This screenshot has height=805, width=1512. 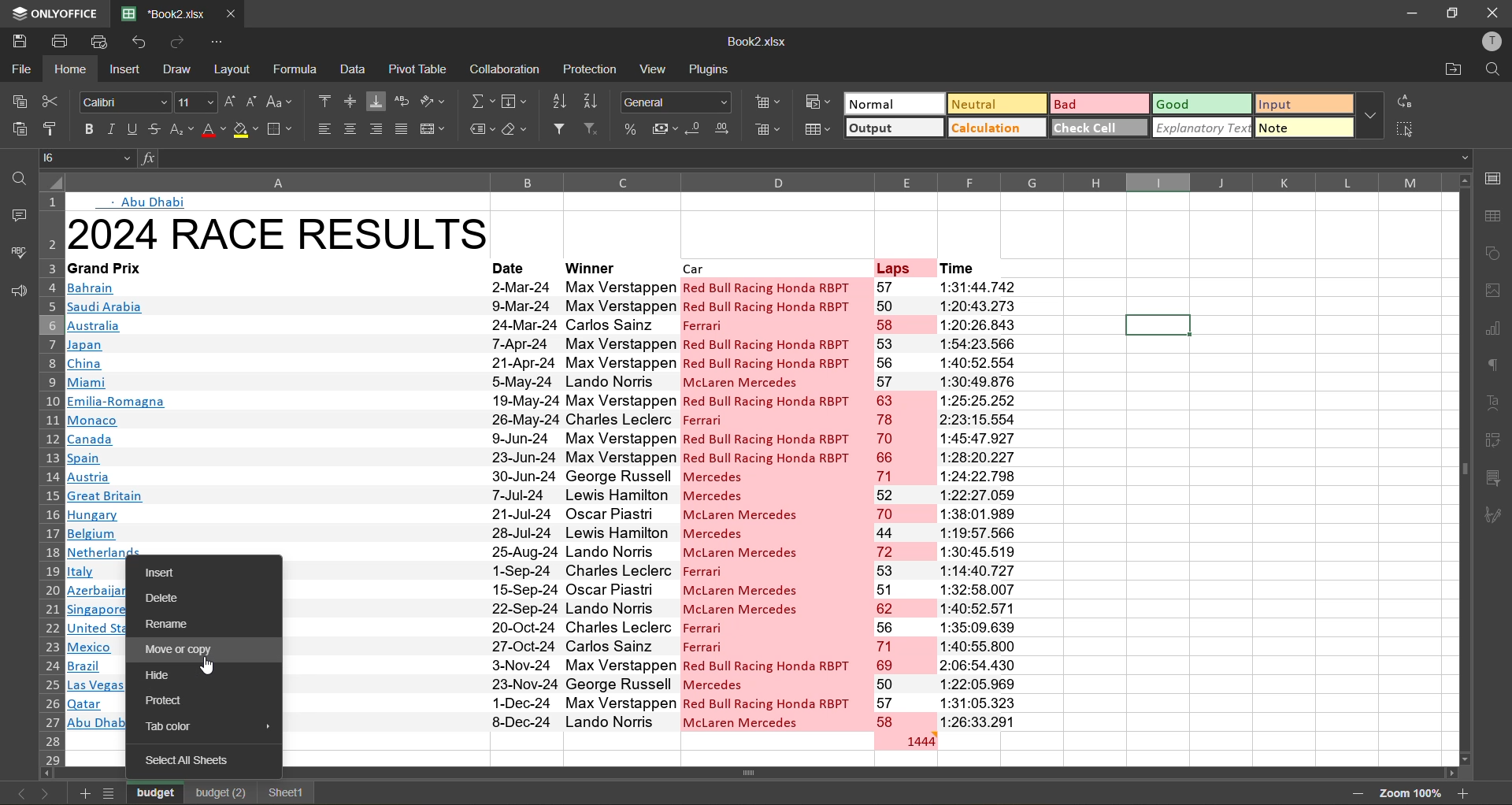 What do you see at coordinates (590, 70) in the screenshot?
I see `protection` at bounding box center [590, 70].